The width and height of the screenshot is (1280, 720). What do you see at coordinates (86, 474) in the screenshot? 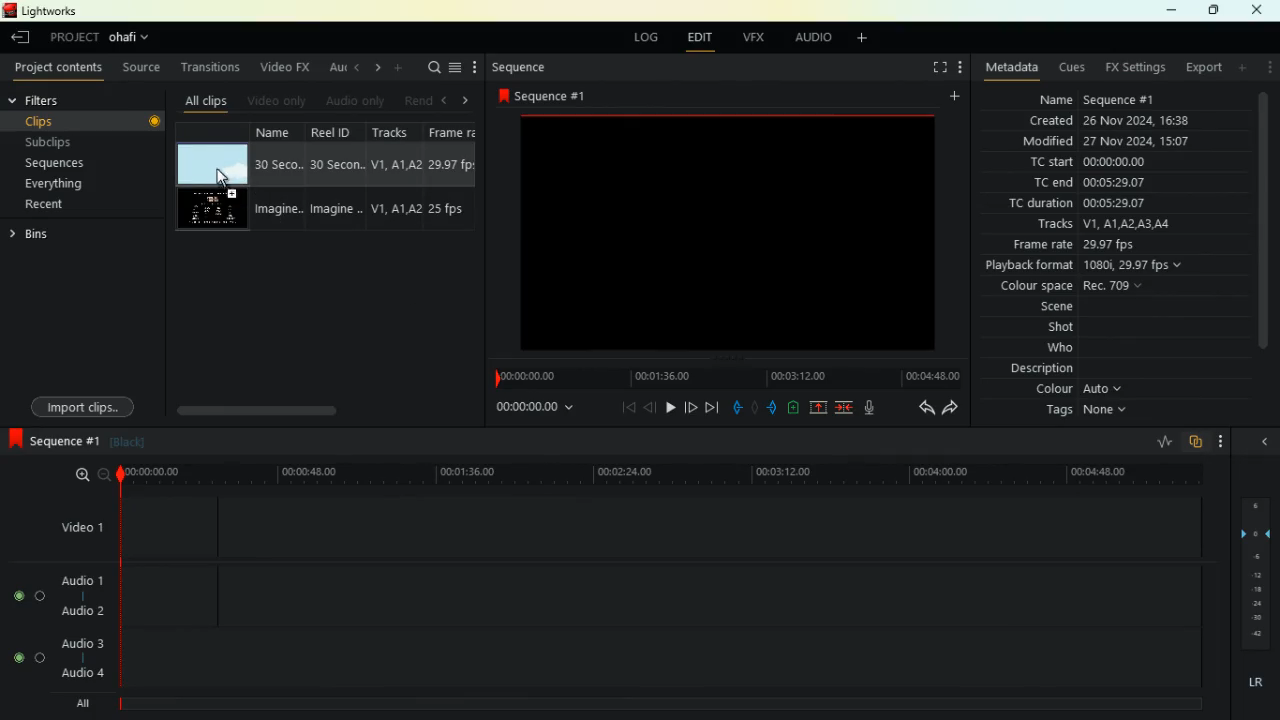
I see `zoom` at bounding box center [86, 474].